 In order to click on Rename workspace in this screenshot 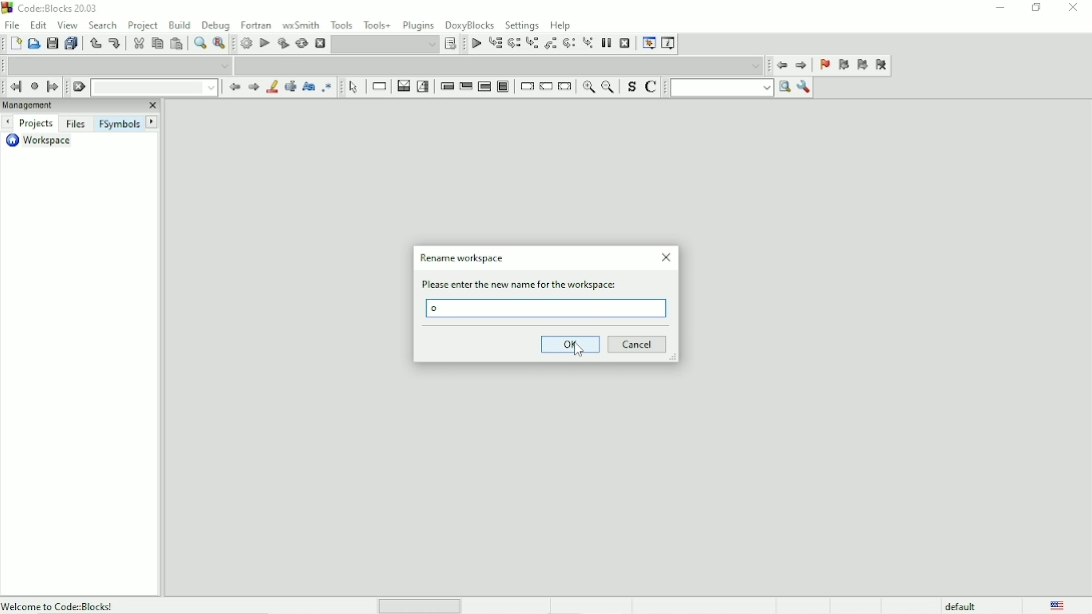, I will do `click(462, 259)`.